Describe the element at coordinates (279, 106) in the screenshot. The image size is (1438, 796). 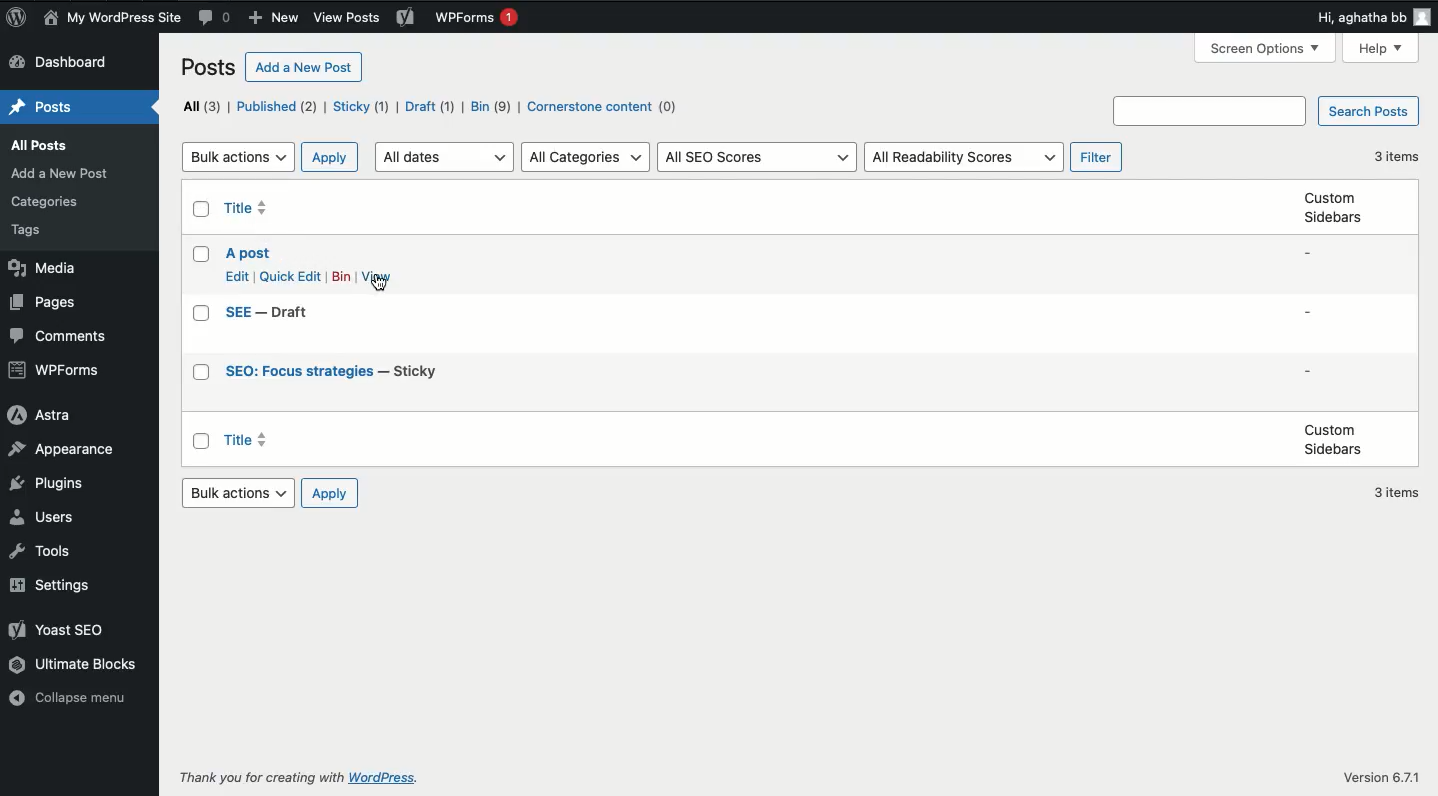
I see `Published` at that location.